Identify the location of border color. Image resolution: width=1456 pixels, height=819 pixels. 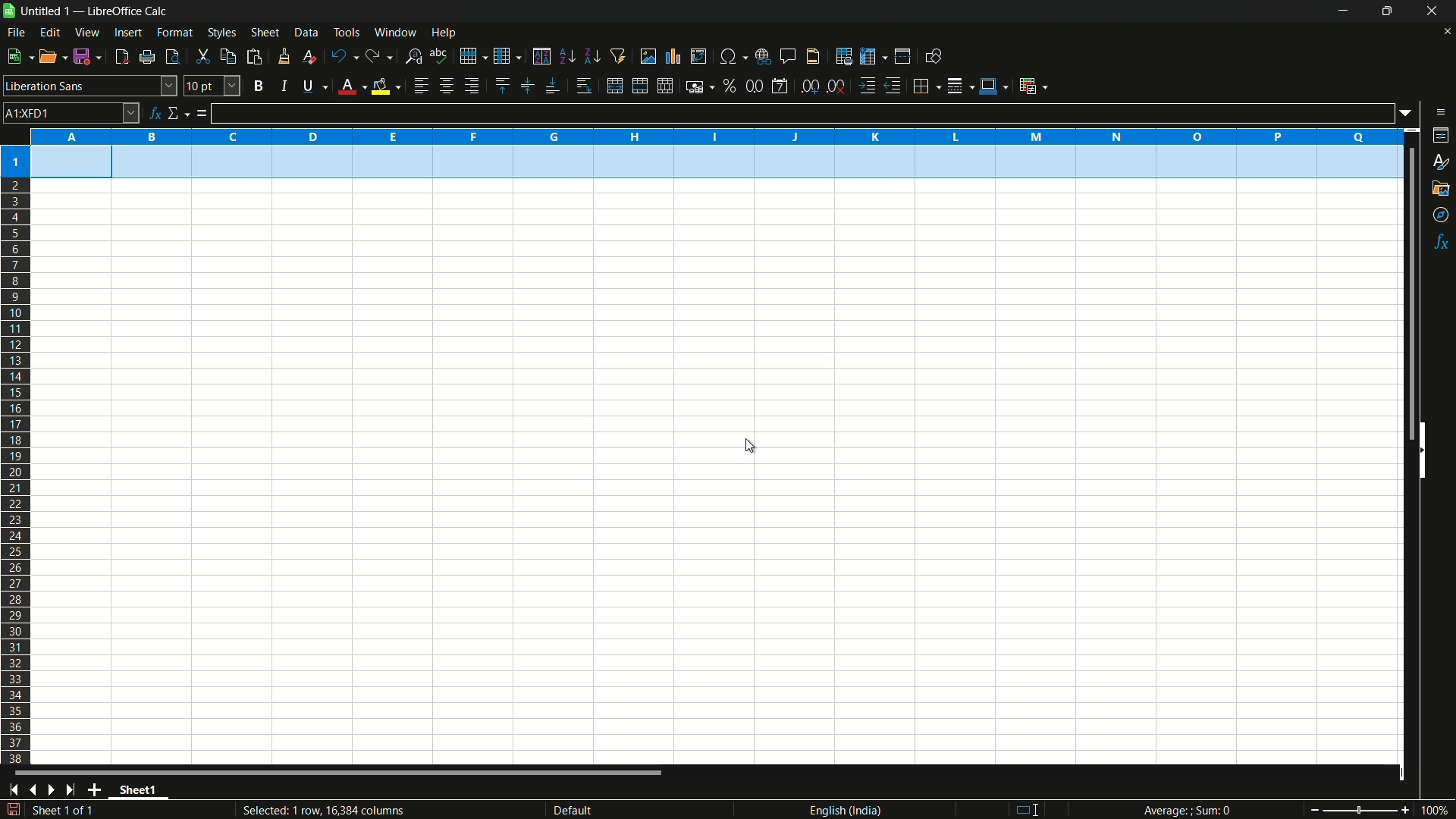
(993, 83).